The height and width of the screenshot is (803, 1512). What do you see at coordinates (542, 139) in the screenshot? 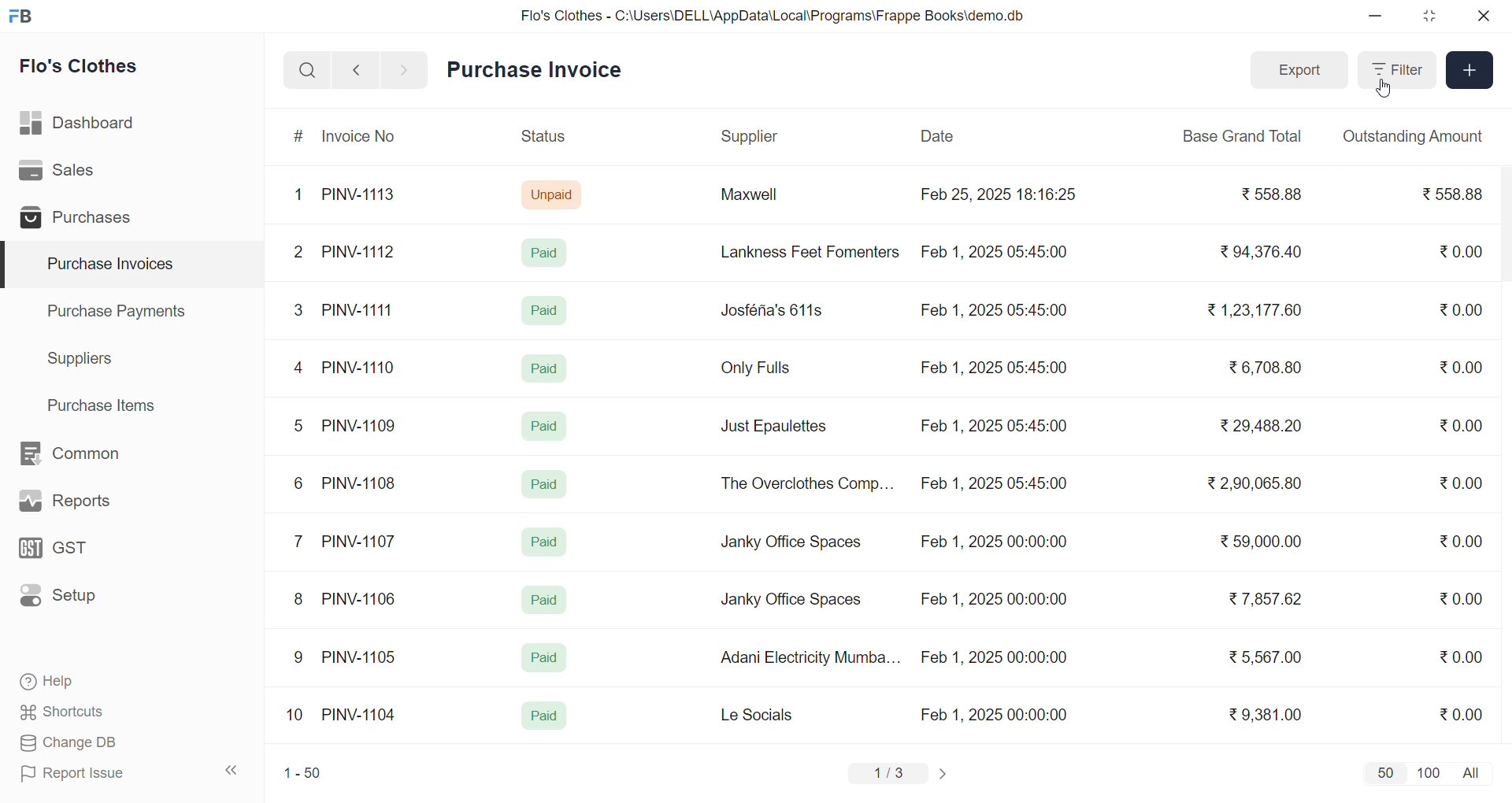
I see `Status` at bounding box center [542, 139].